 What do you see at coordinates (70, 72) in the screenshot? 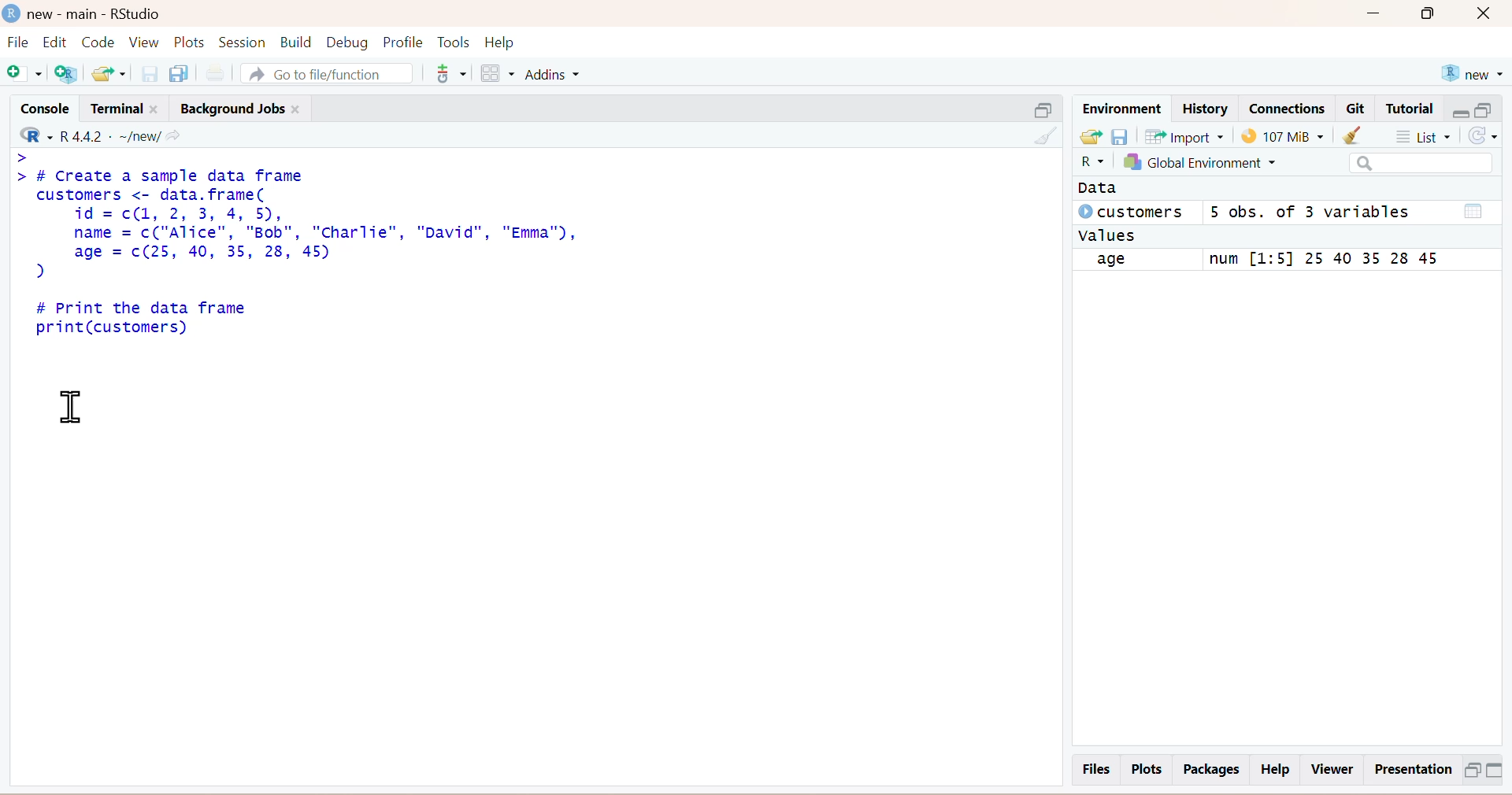
I see `Create a project` at bounding box center [70, 72].